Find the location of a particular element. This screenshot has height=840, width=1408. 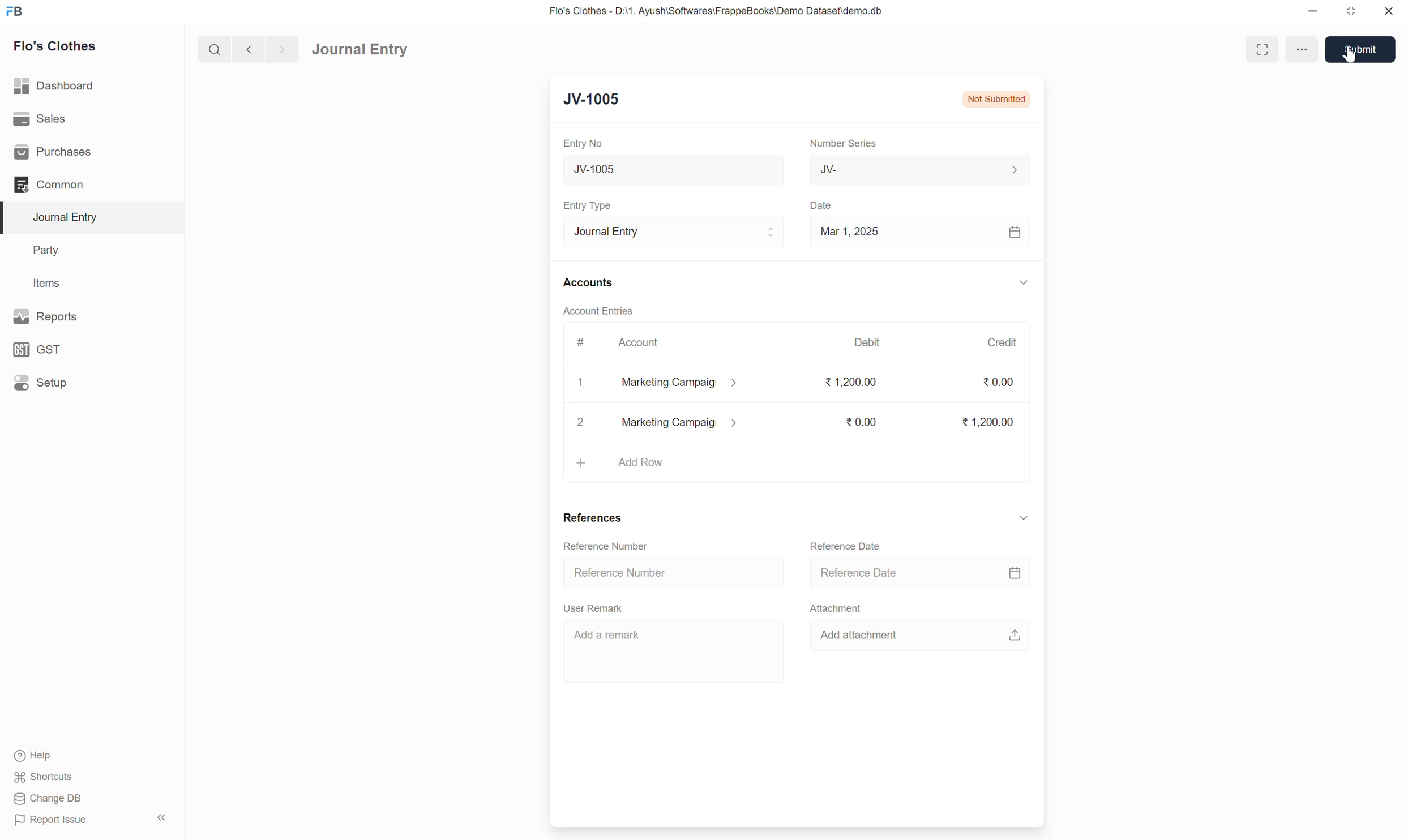

1 is located at coordinates (582, 383).